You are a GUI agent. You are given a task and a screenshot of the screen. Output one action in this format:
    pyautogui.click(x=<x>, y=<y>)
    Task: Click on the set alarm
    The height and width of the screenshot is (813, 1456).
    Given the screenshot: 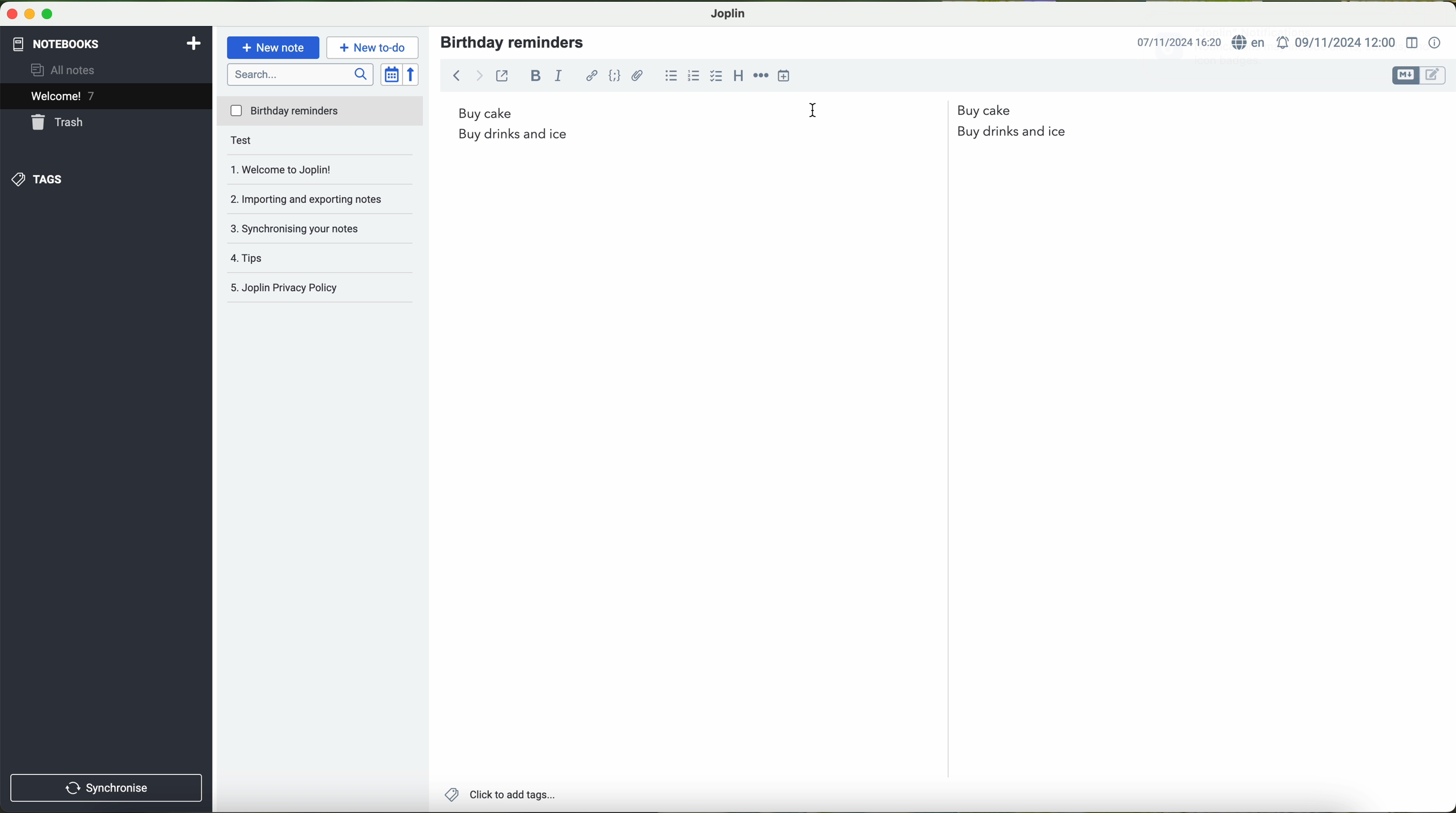 What is the action you would take?
    pyautogui.click(x=1392, y=43)
    